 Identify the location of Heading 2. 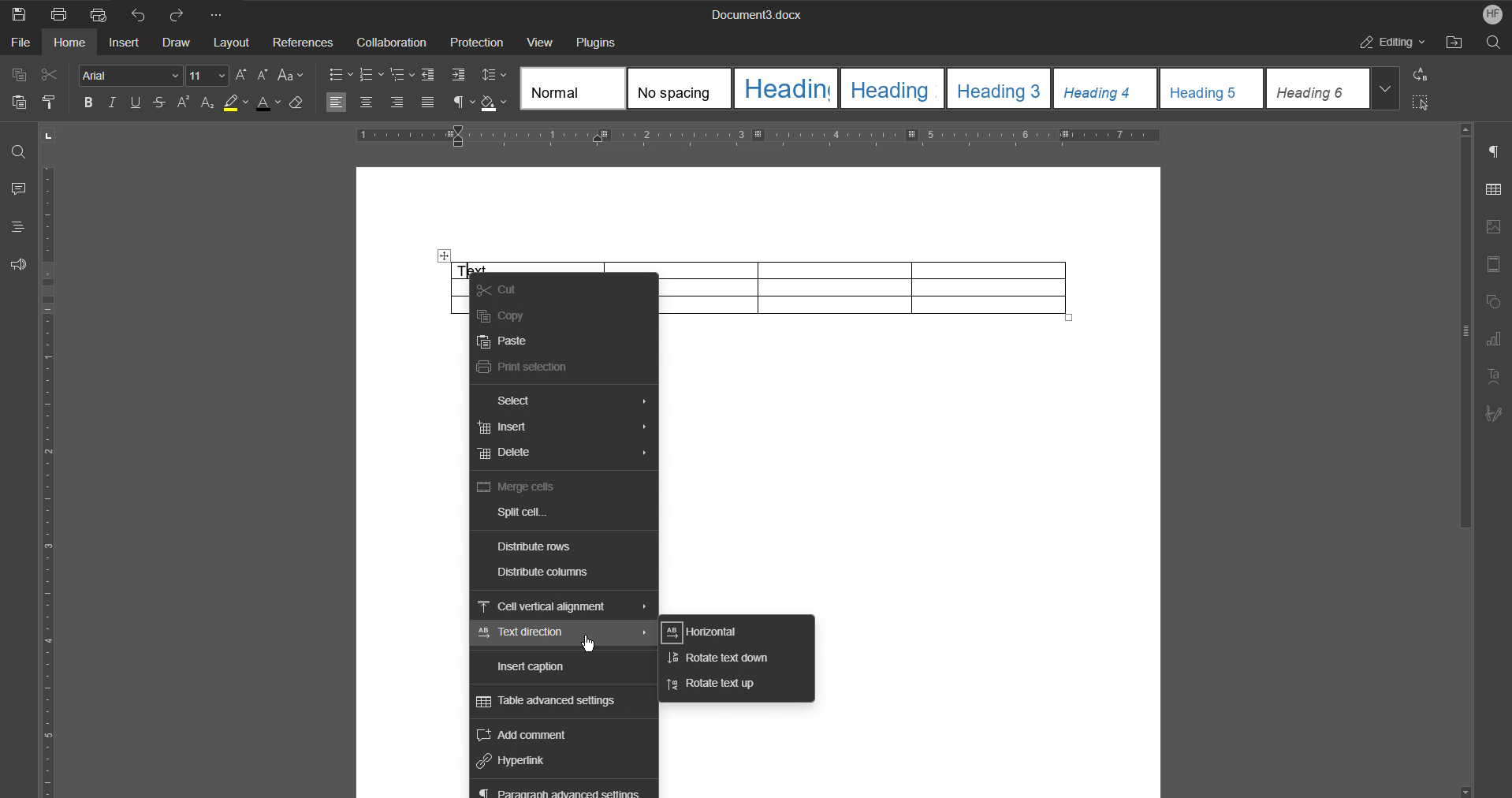
(893, 88).